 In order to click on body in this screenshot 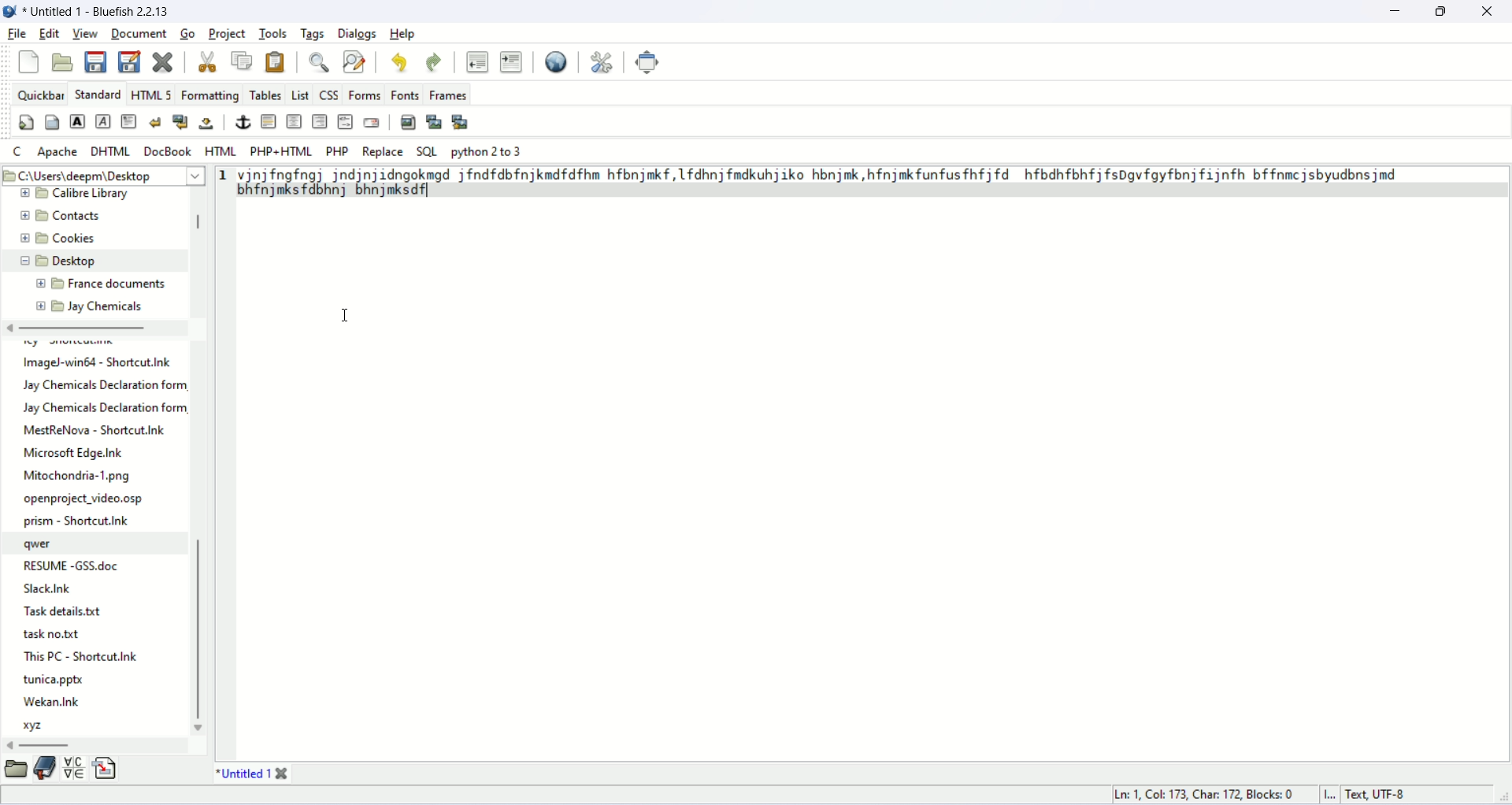, I will do `click(51, 121)`.